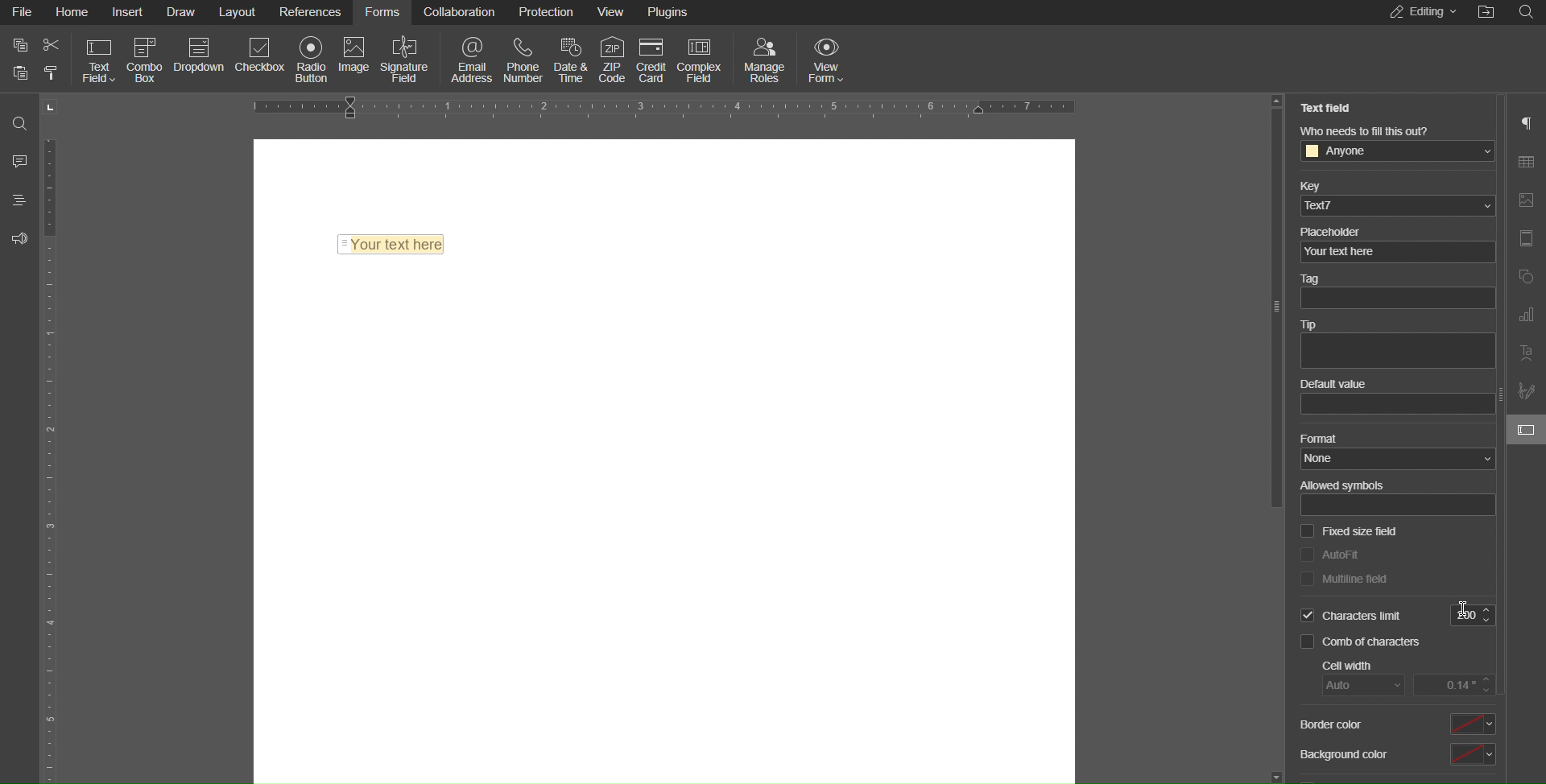  What do you see at coordinates (1525, 391) in the screenshot?
I see `Signature` at bounding box center [1525, 391].